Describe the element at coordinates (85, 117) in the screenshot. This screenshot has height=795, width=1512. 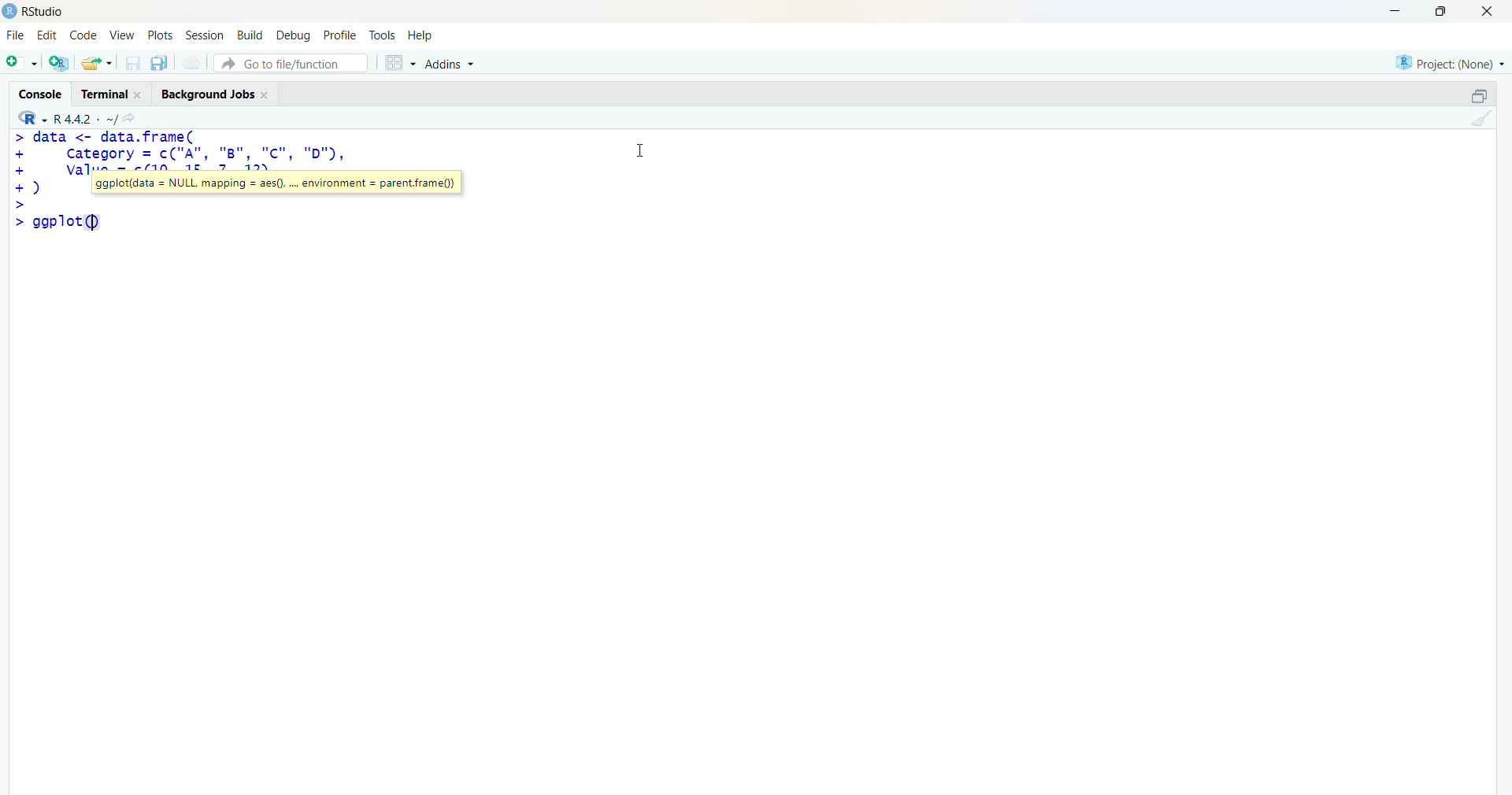
I see ` R language version - R 4.4.2` at that location.